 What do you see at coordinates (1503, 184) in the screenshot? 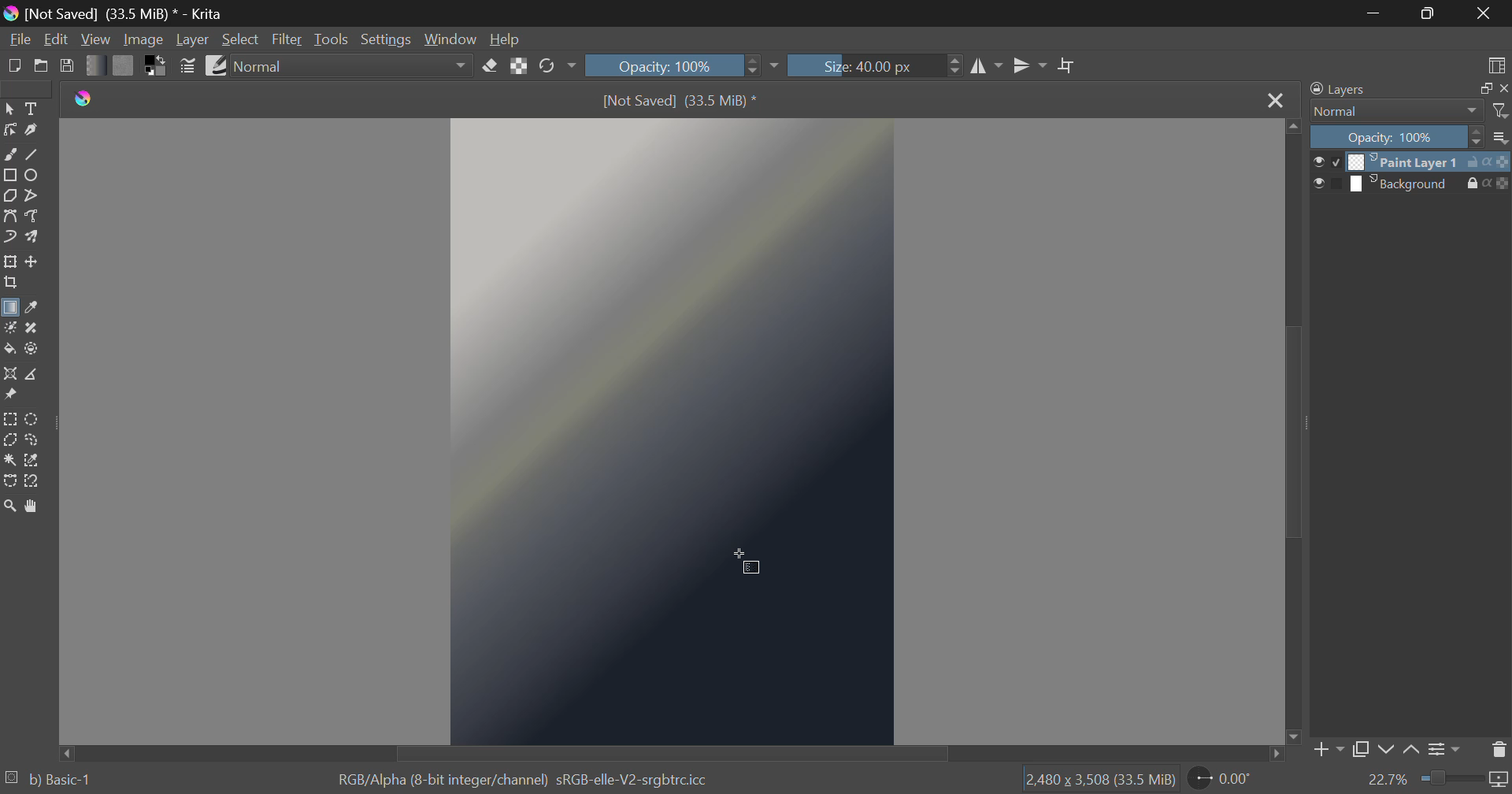
I see `icon` at bounding box center [1503, 184].